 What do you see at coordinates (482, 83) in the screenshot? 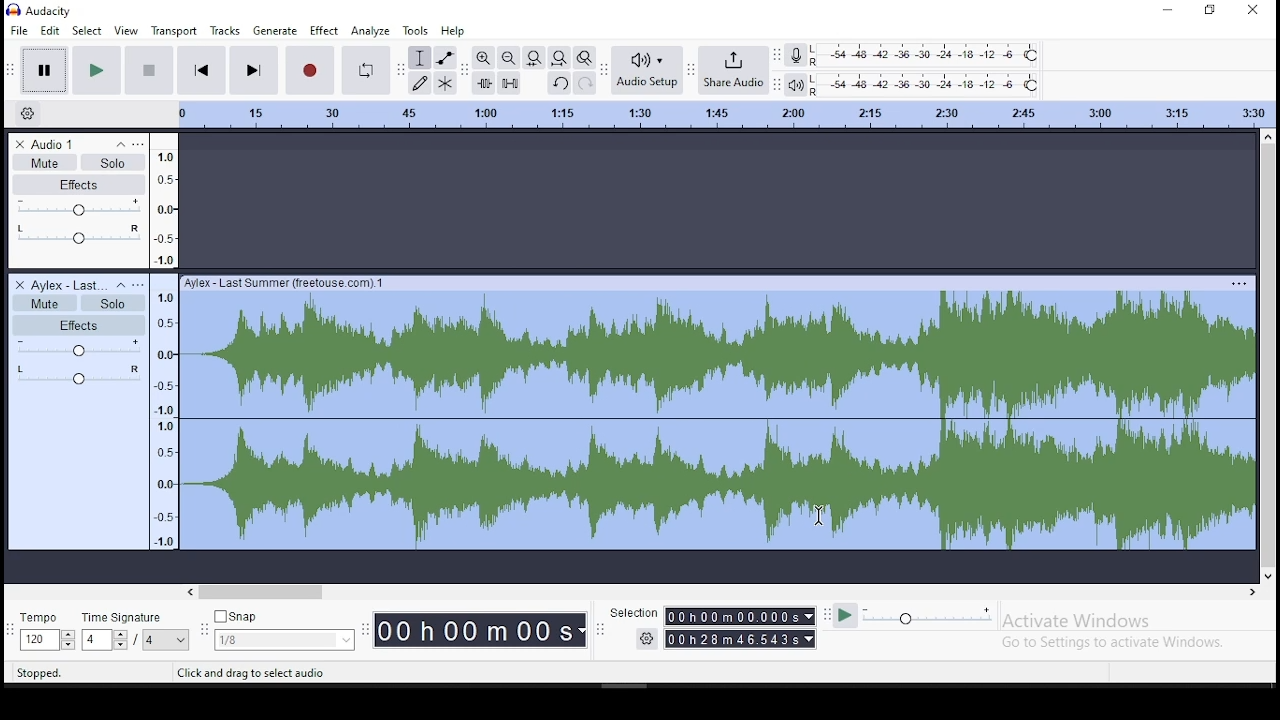
I see `trim audio outside selection` at bounding box center [482, 83].